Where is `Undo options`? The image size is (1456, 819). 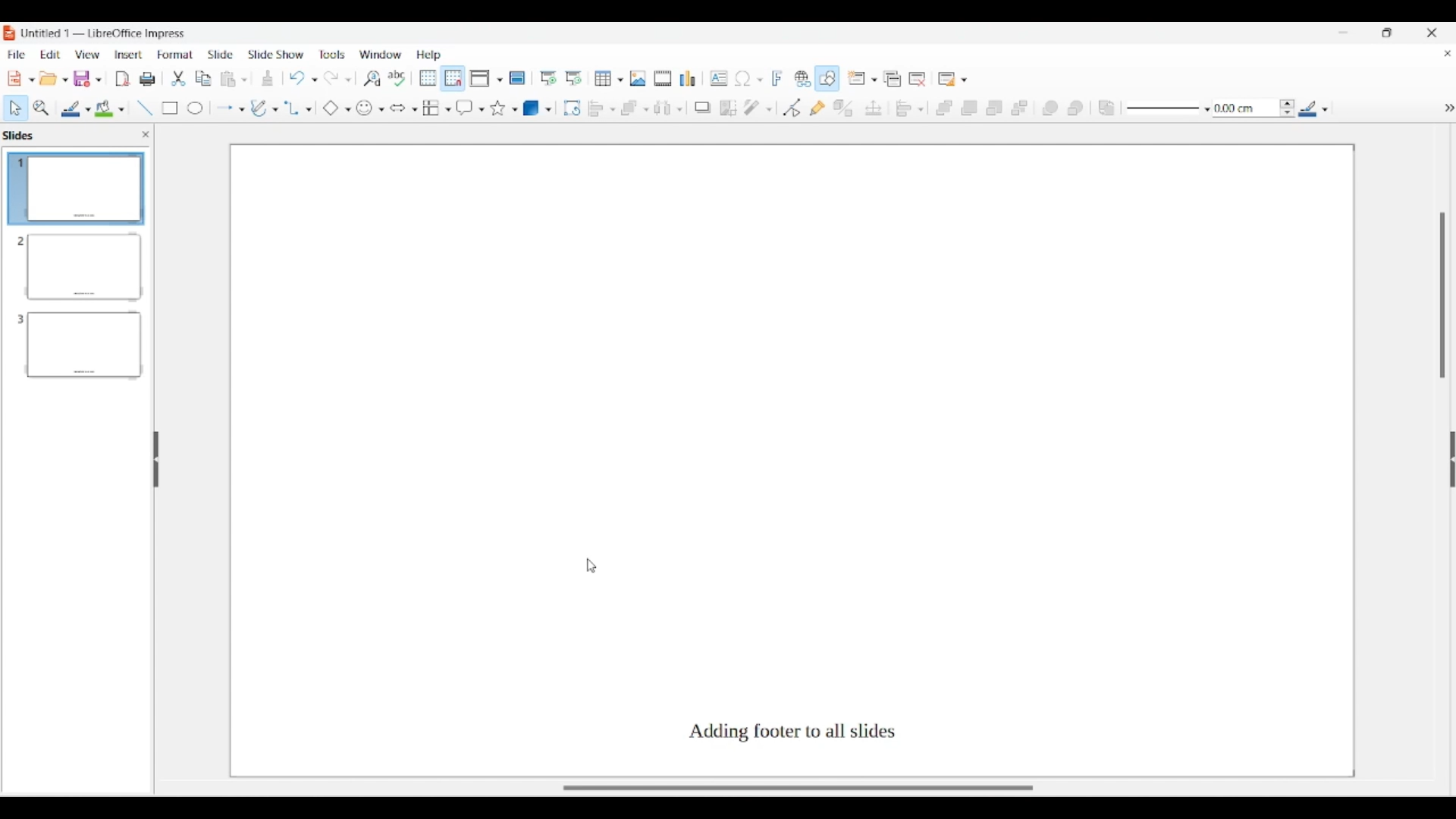
Undo options is located at coordinates (303, 78).